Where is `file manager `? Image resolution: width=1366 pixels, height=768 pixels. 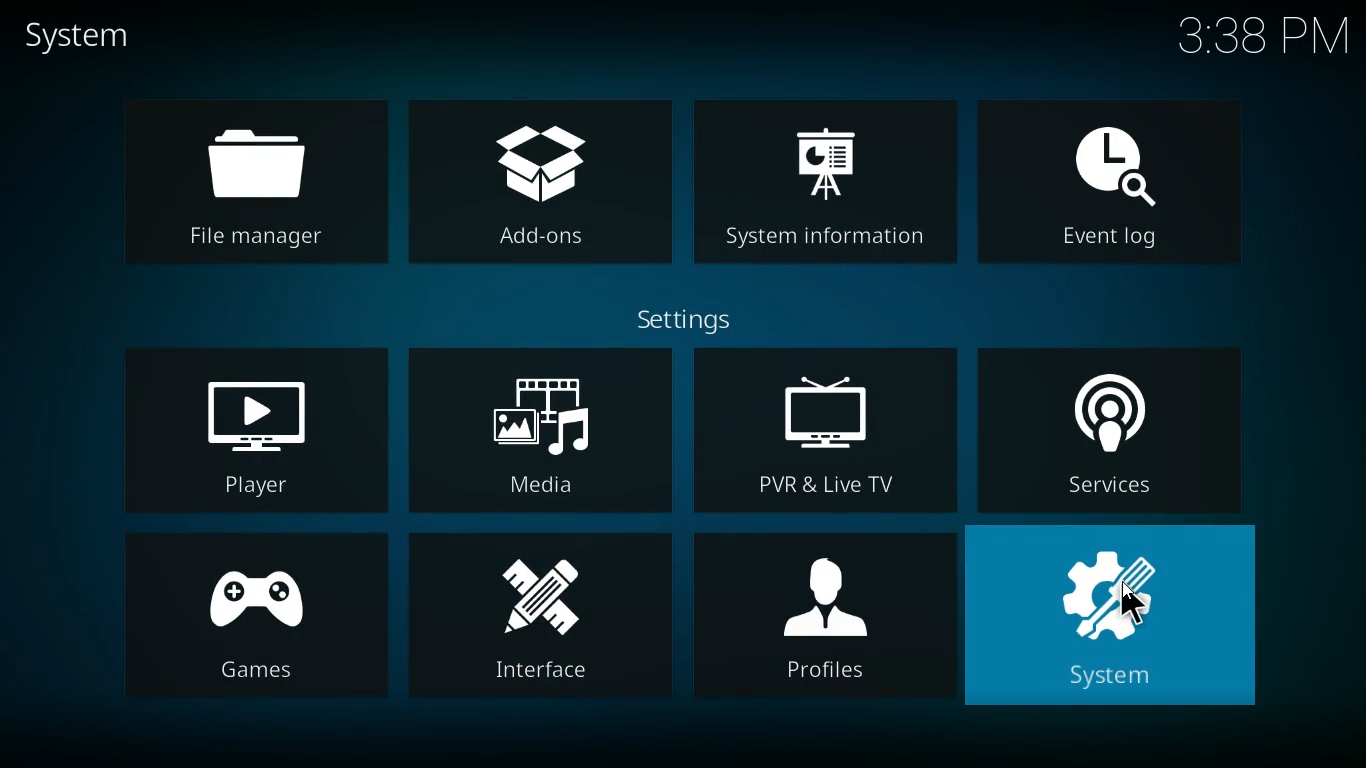
file manager  is located at coordinates (265, 180).